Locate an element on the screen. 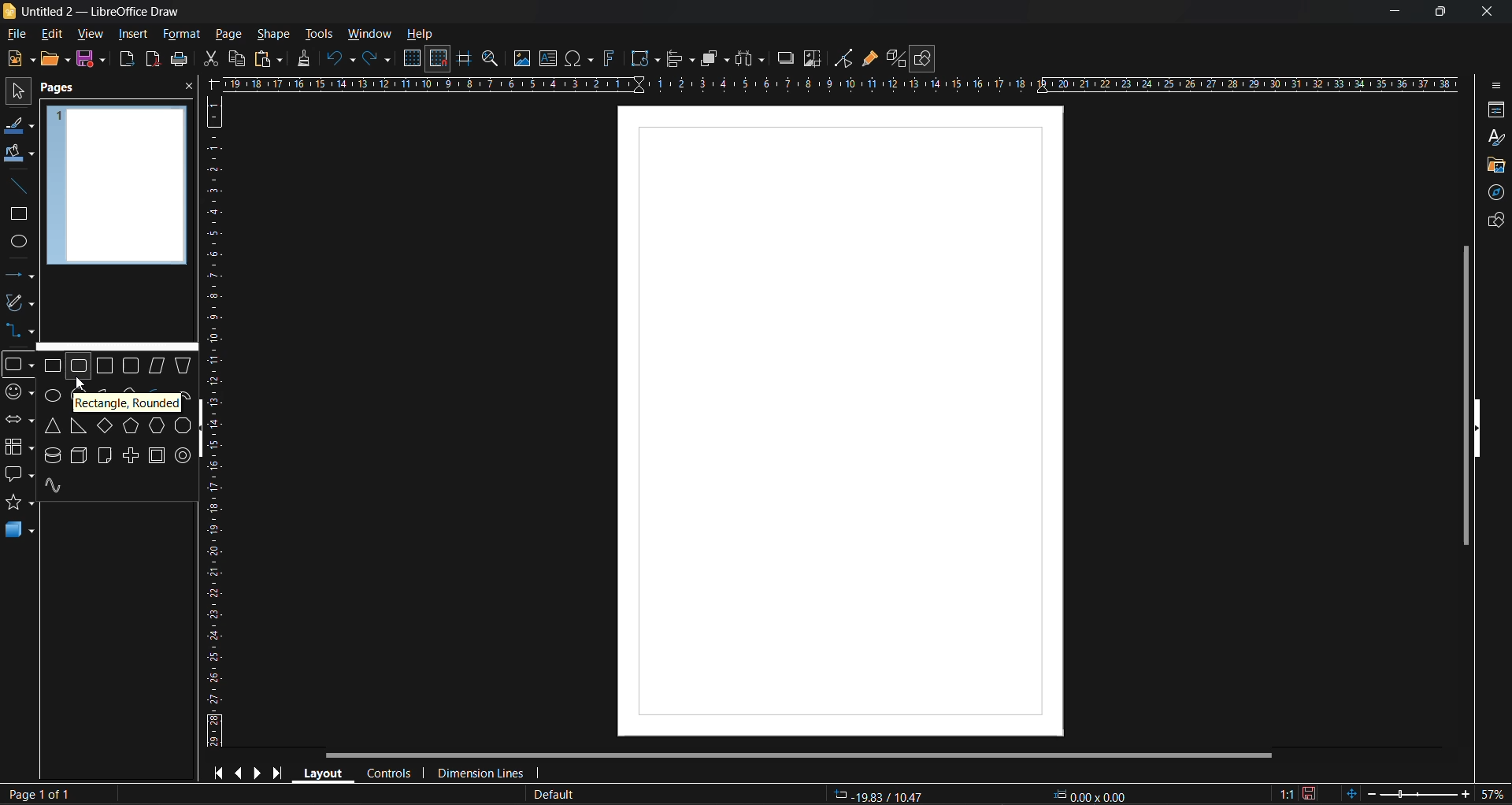 This screenshot has height=805, width=1512. zoom out is located at coordinates (1369, 792).